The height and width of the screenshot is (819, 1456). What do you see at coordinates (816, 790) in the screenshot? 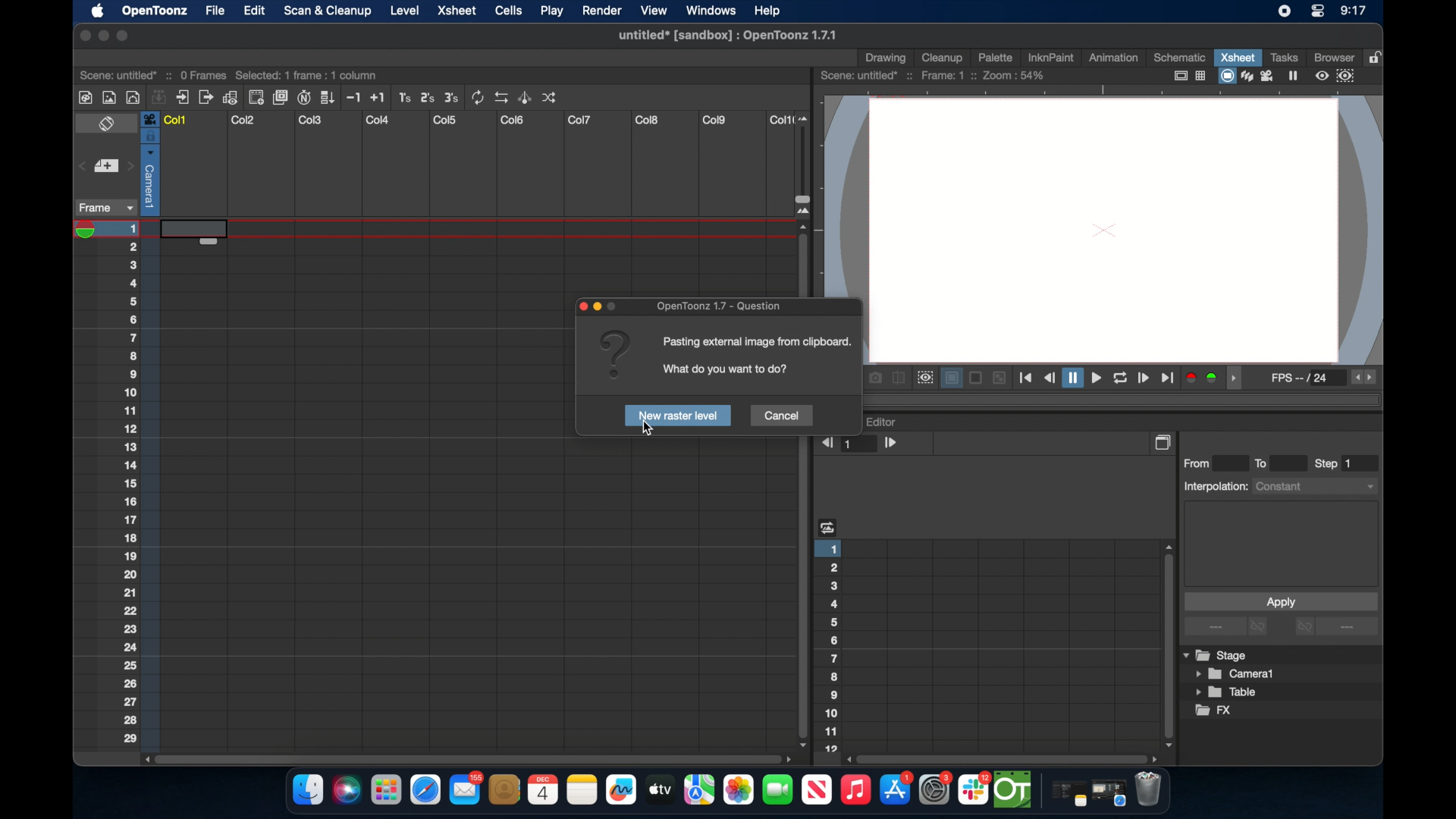
I see `apple tv` at bounding box center [816, 790].